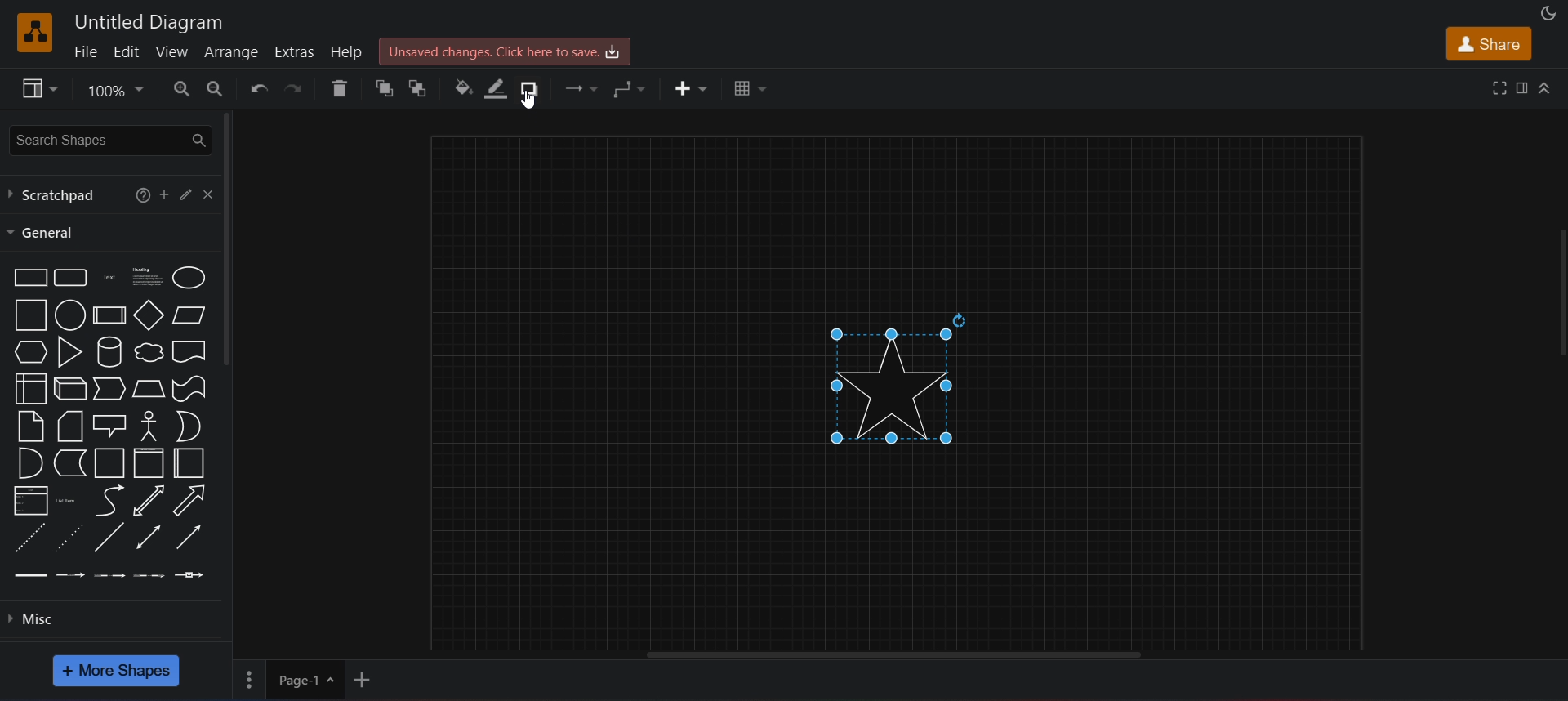 This screenshot has width=1568, height=701. I want to click on ellipse, so click(190, 278).